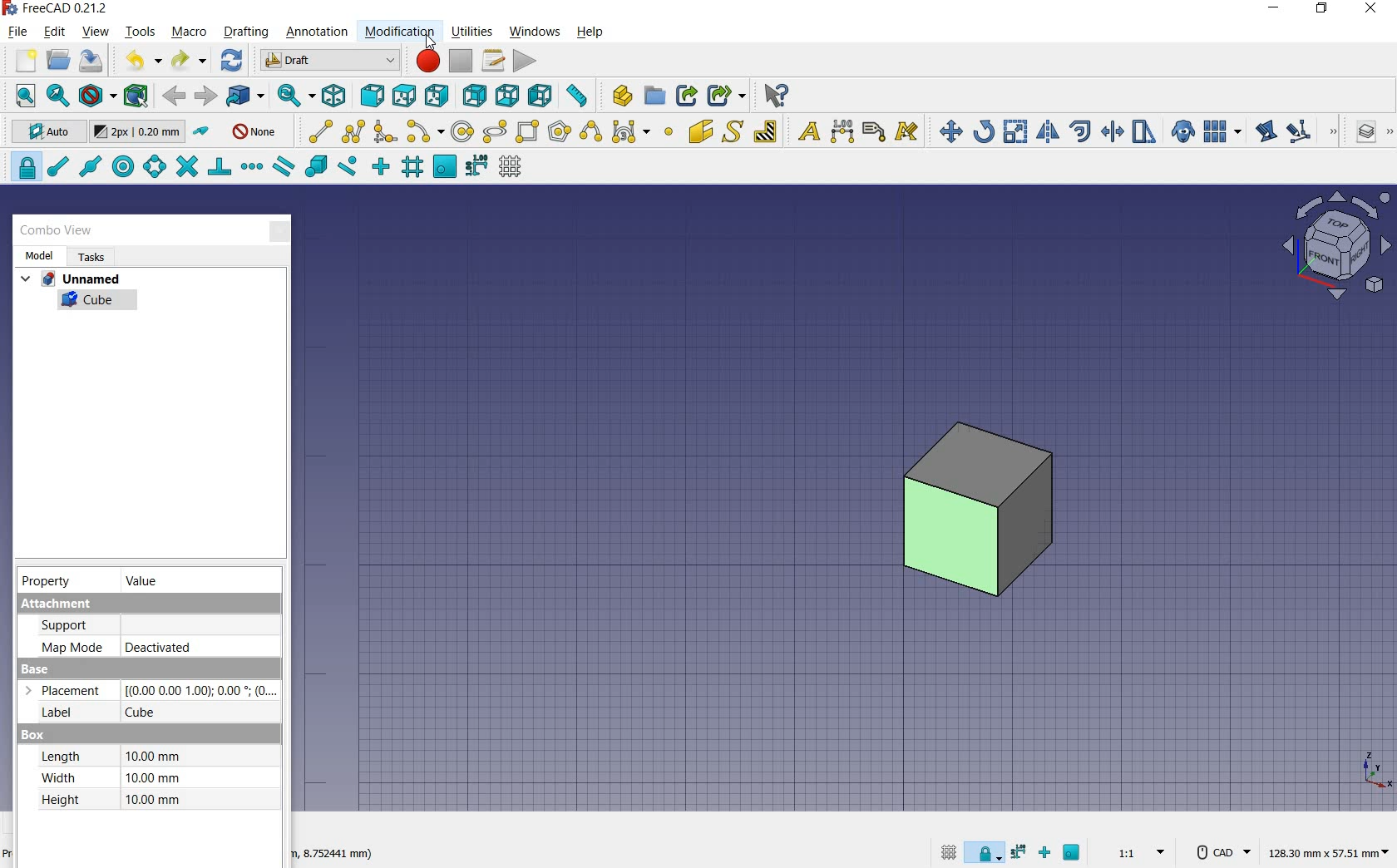  I want to click on stretch, so click(1144, 132).